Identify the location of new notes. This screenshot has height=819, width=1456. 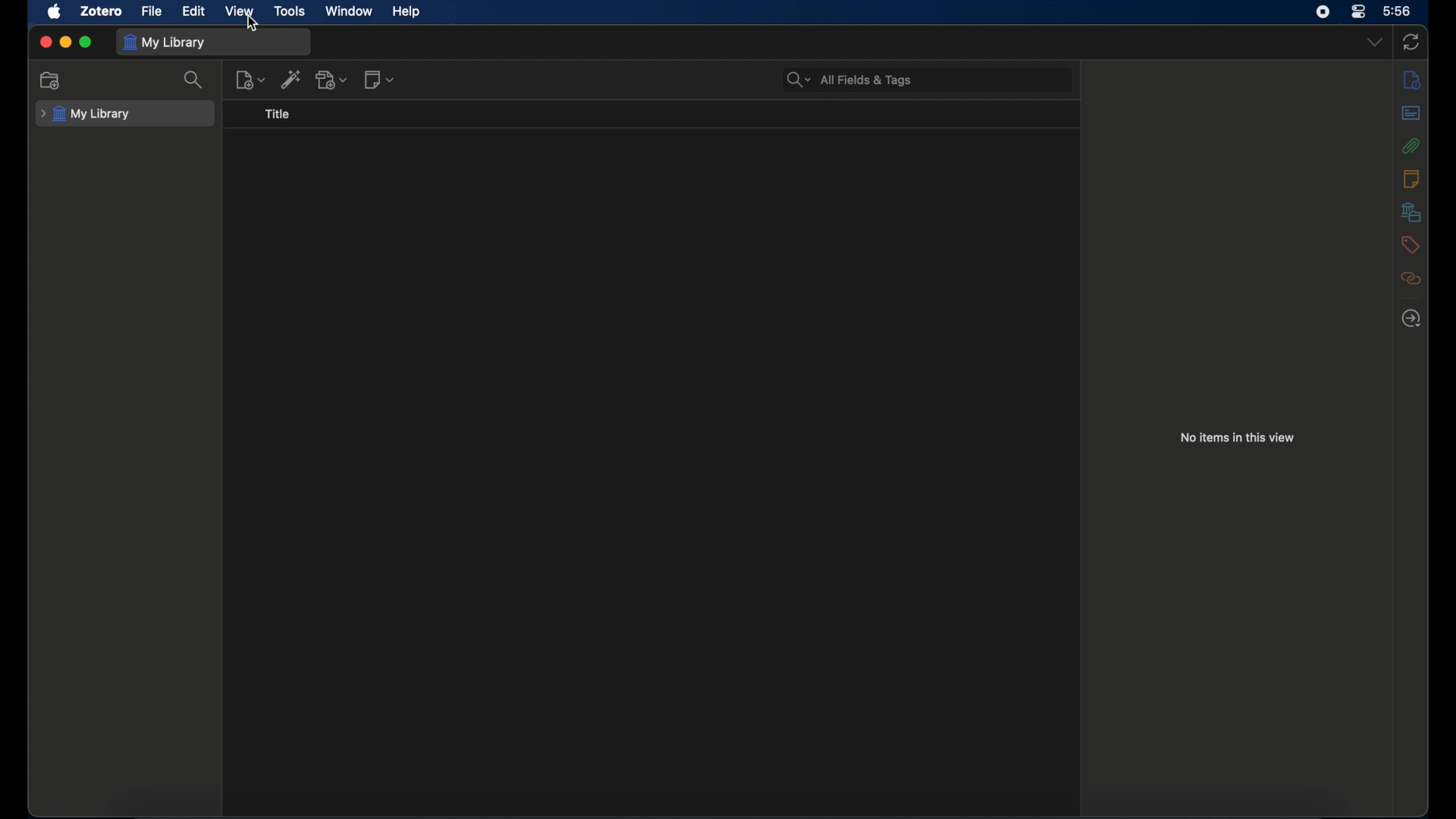
(381, 79).